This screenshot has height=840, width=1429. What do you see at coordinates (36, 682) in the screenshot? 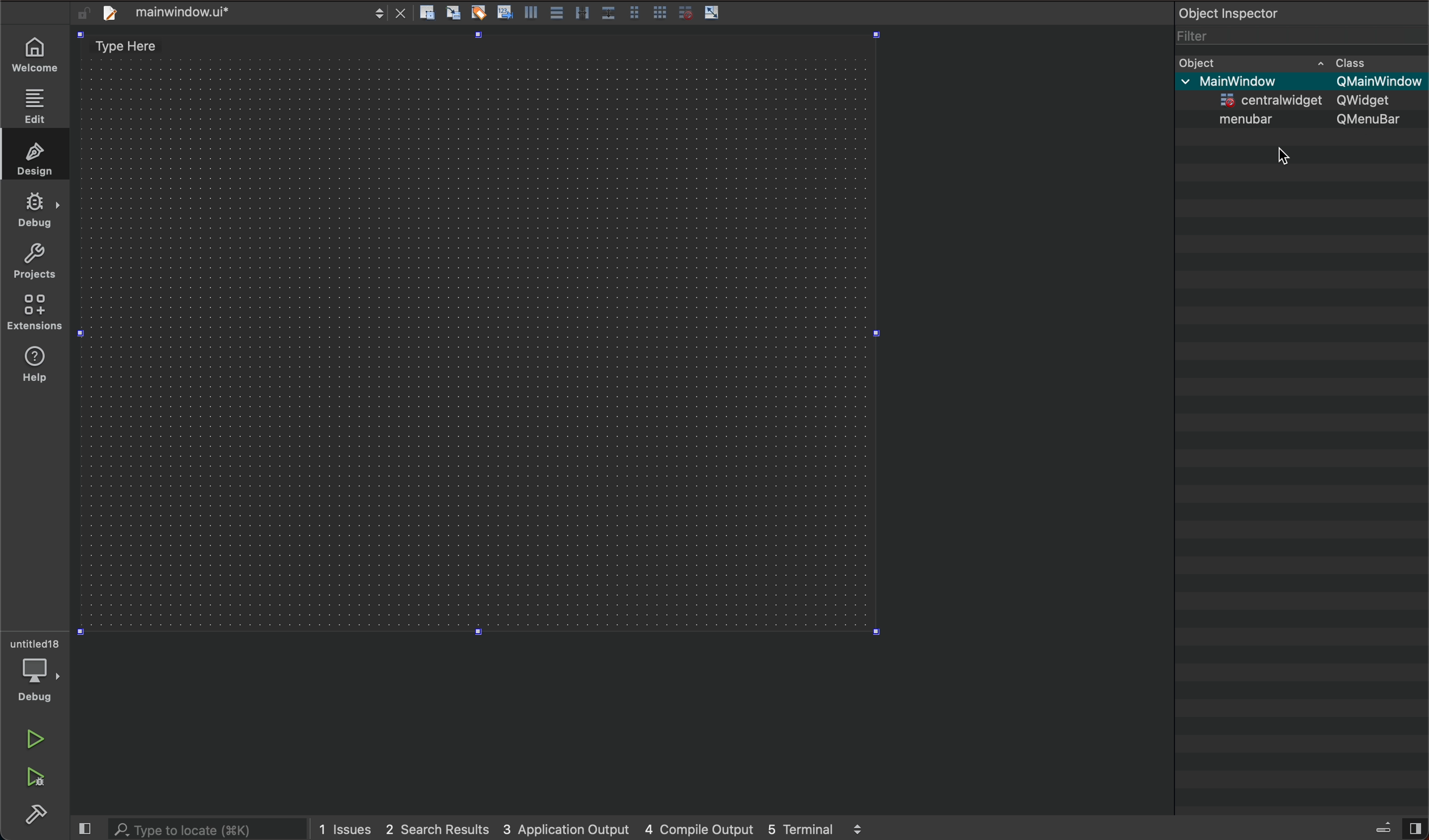
I see `debug` at bounding box center [36, 682].